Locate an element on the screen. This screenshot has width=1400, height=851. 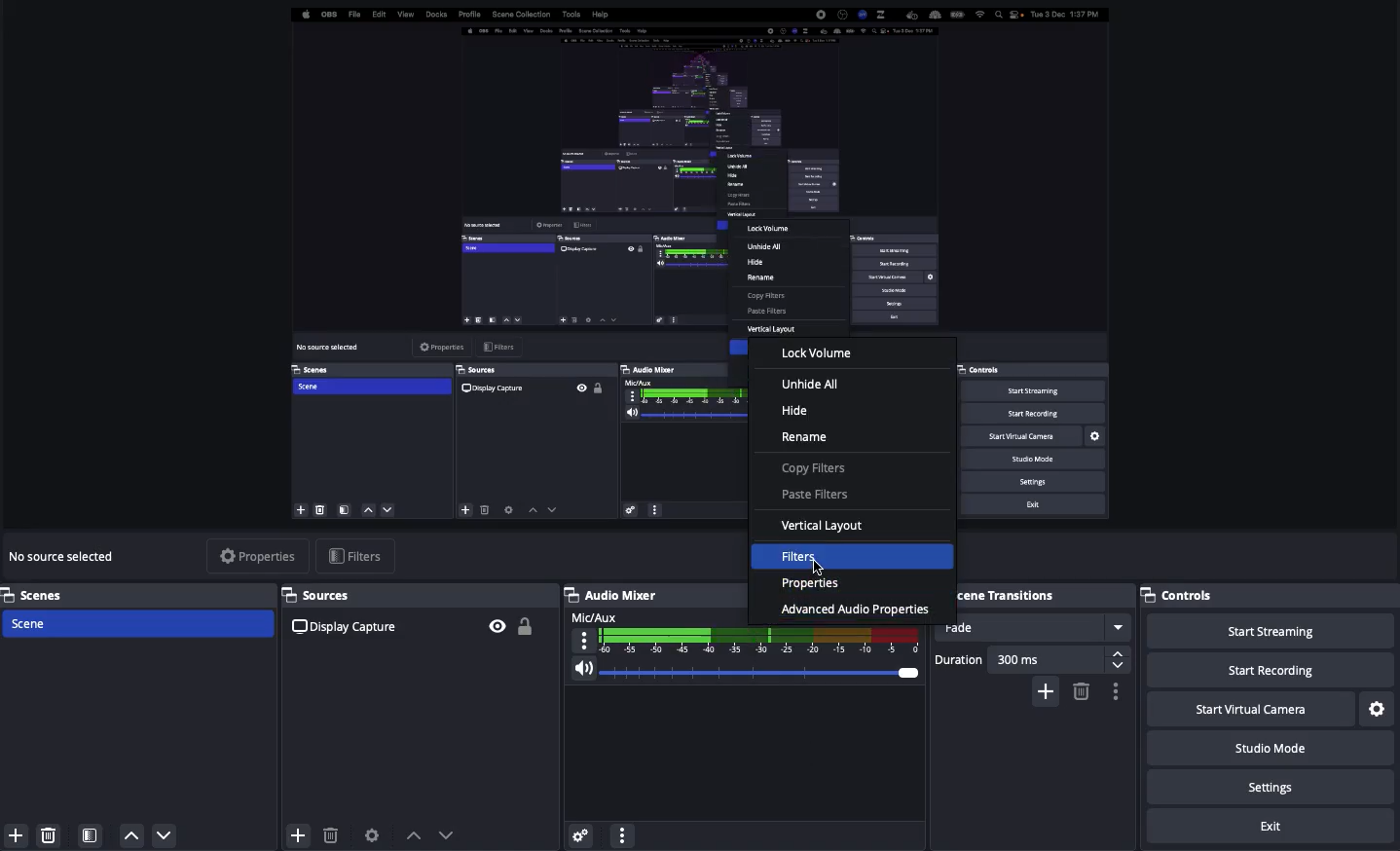
Audio mixer is located at coordinates (617, 595).